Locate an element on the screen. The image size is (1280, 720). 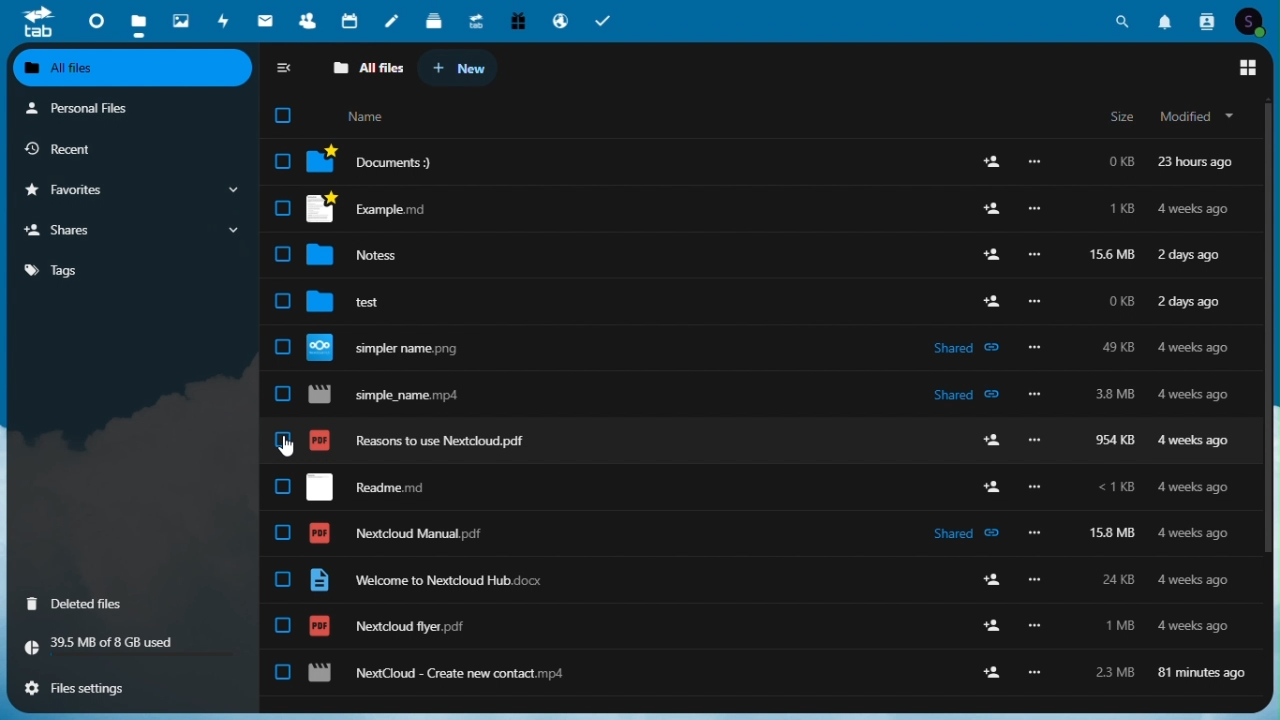
4 weeks ago is located at coordinates (1197, 394).